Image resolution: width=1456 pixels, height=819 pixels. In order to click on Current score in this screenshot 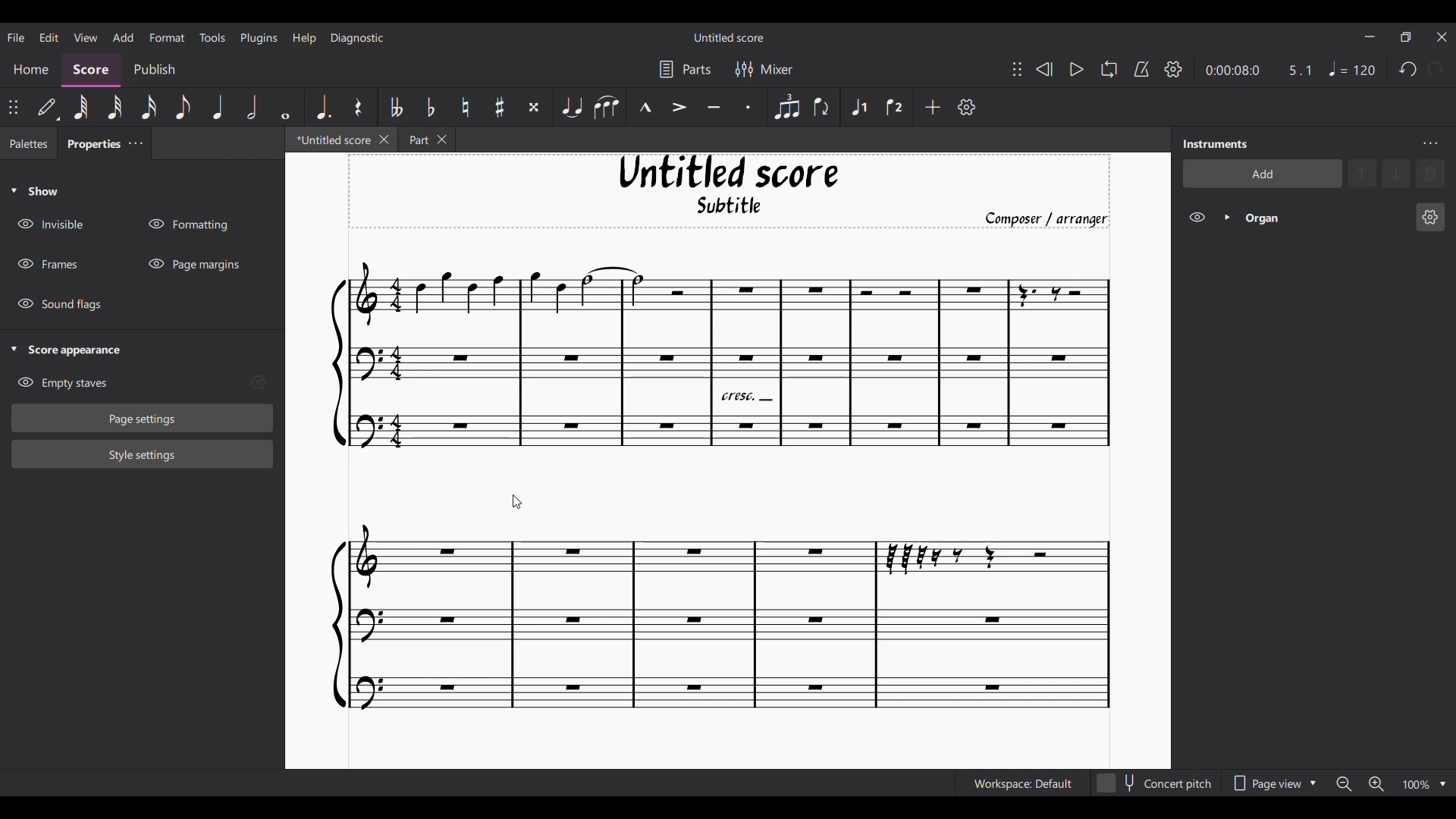, I will do `click(721, 488)`.